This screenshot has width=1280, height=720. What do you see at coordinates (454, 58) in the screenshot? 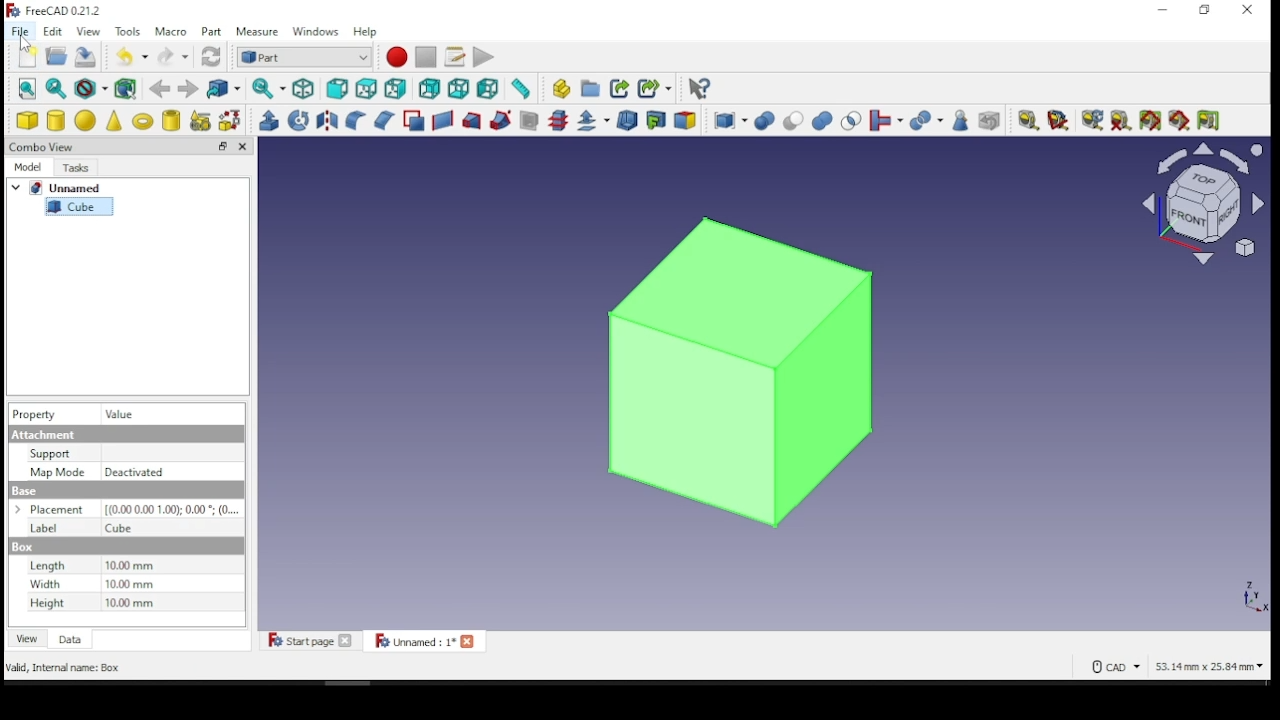
I see `macros` at bounding box center [454, 58].